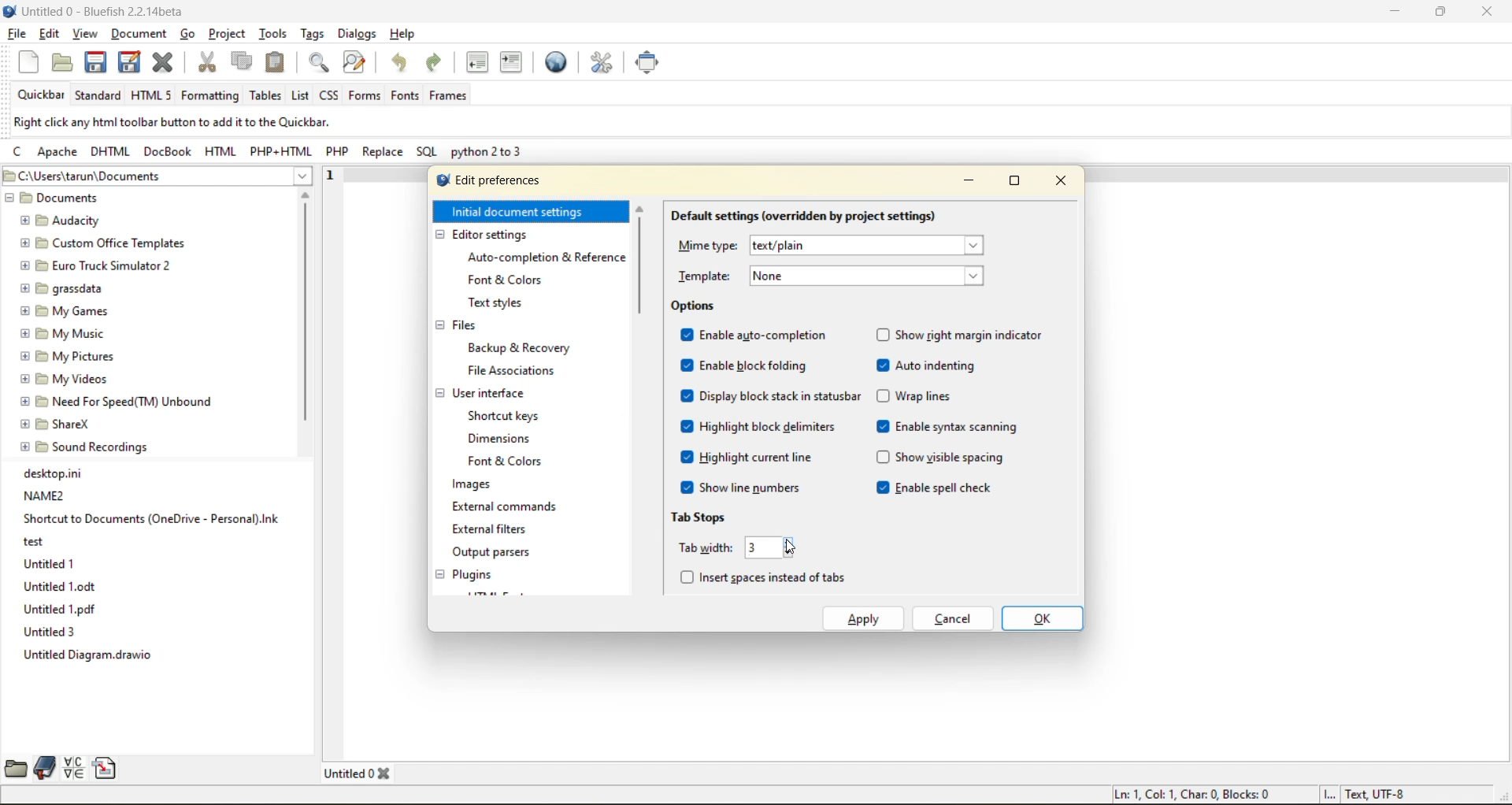  Describe the element at coordinates (141, 36) in the screenshot. I see `document` at that location.